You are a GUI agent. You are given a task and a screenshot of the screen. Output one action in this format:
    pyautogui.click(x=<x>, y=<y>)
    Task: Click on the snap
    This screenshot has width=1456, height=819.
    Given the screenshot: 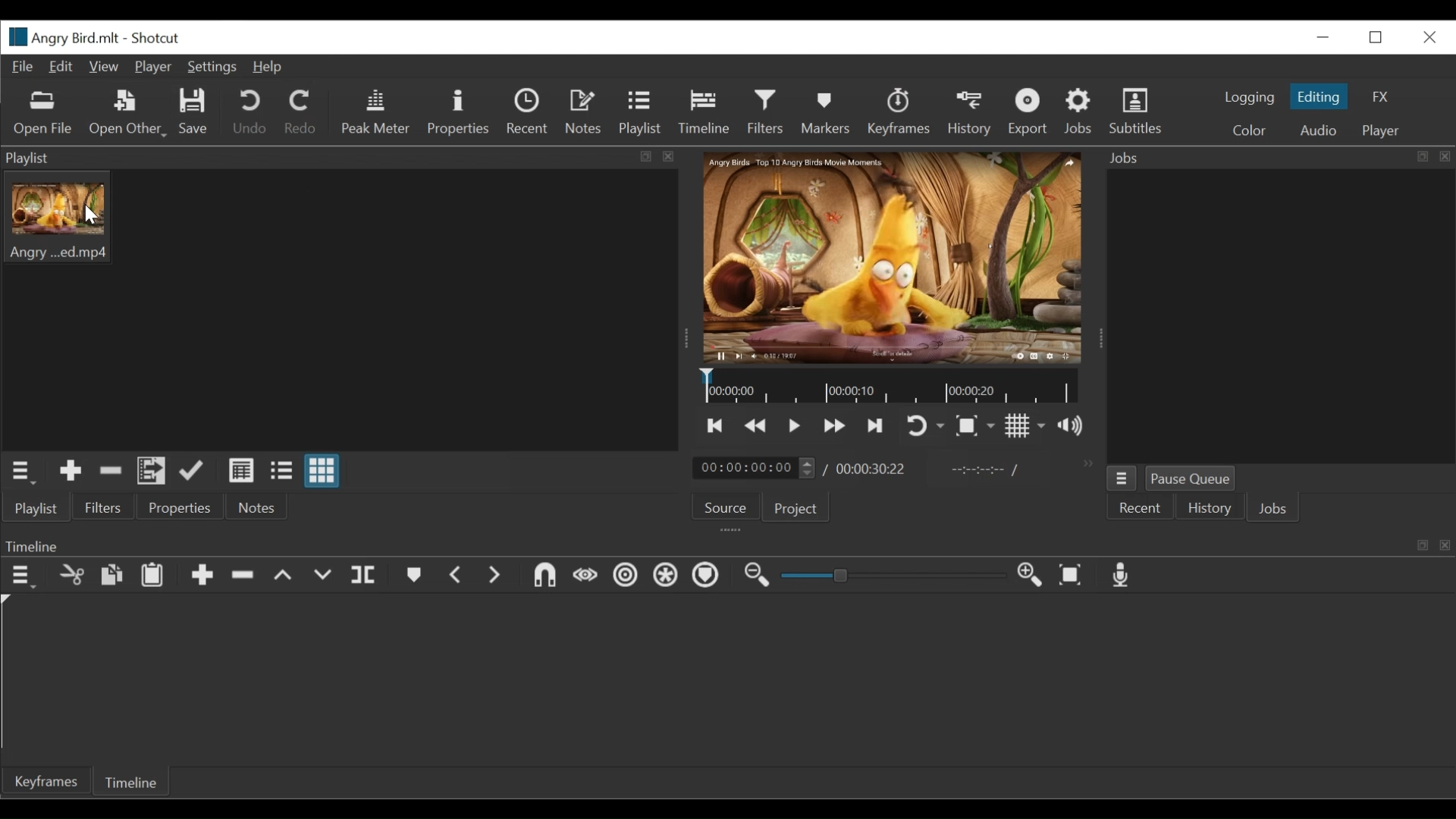 What is the action you would take?
    pyautogui.click(x=544, y=575)
    